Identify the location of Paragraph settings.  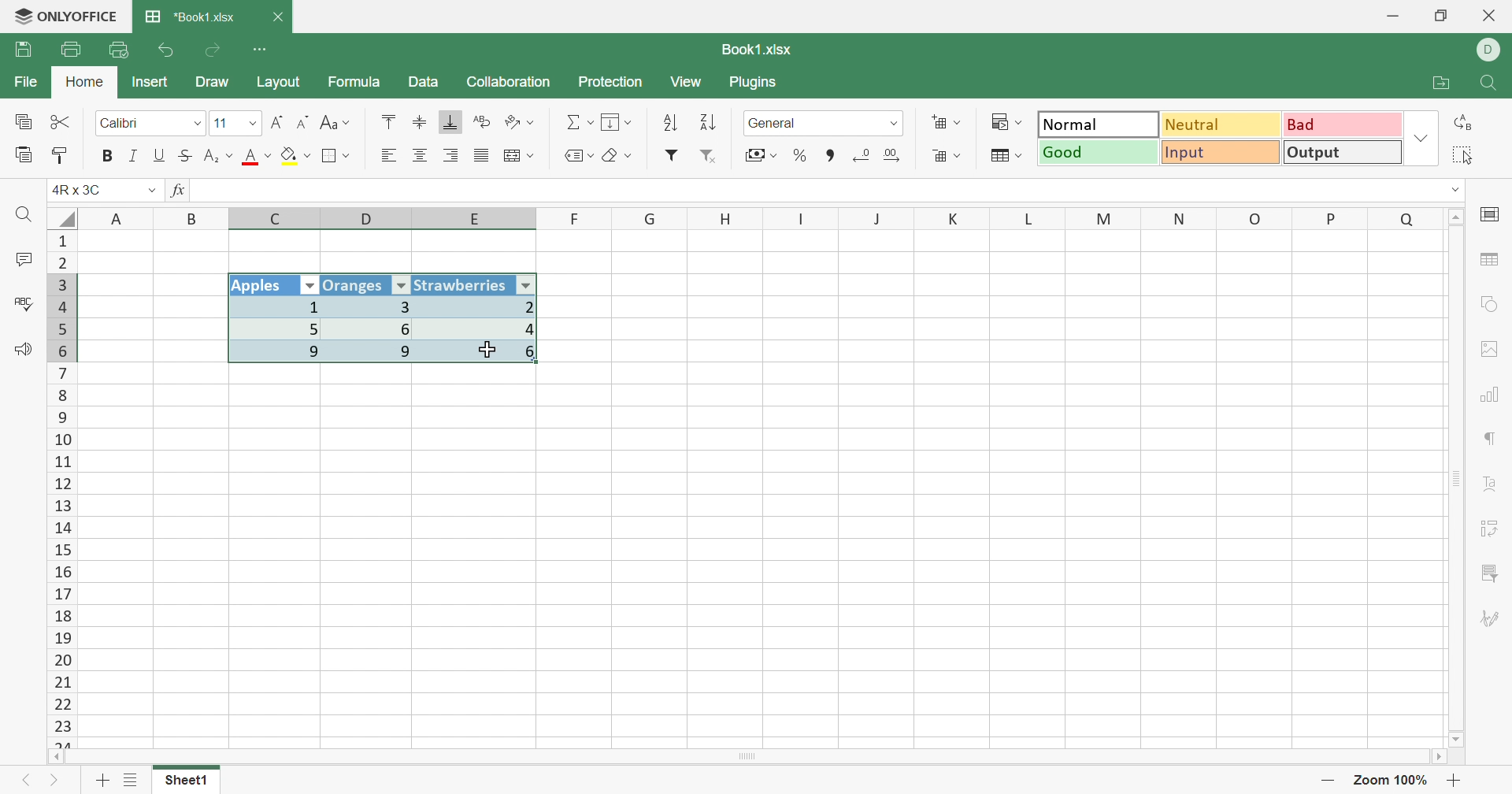
(1492, 441).